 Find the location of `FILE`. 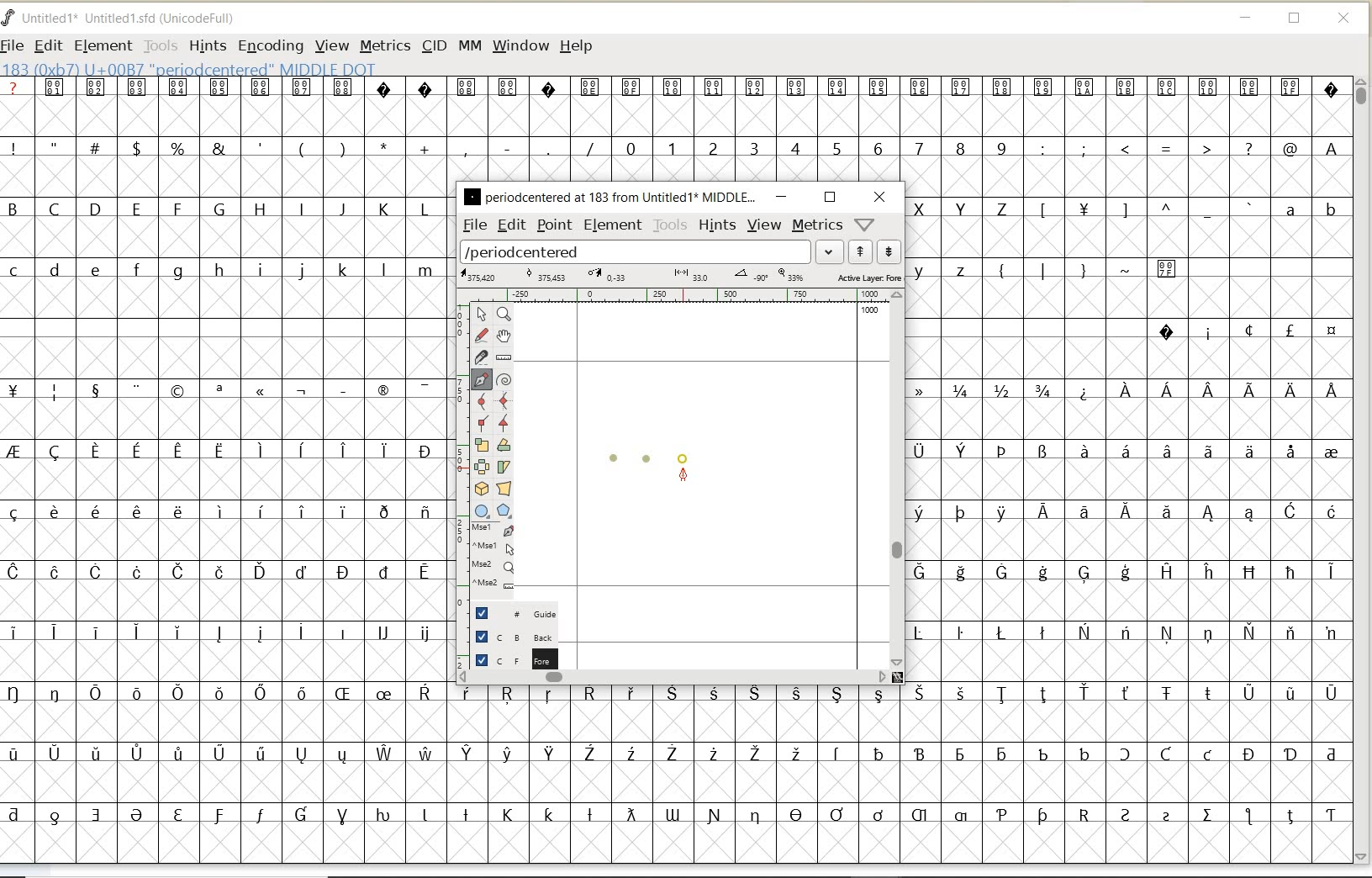

FILE is located at coordinates (14, 45).